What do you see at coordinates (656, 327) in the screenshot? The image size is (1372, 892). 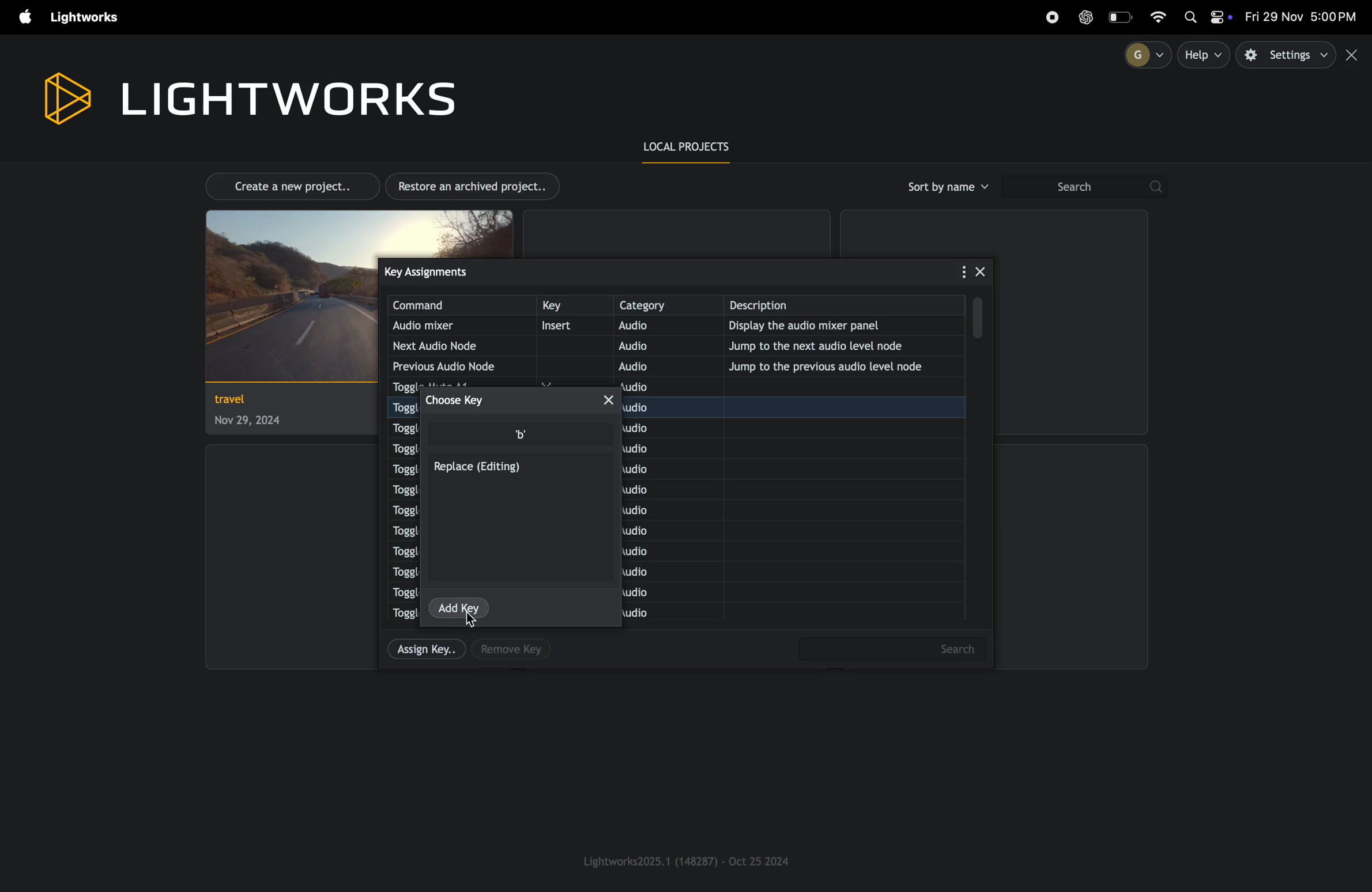 I see `audio` at bounding box center [656, 327].